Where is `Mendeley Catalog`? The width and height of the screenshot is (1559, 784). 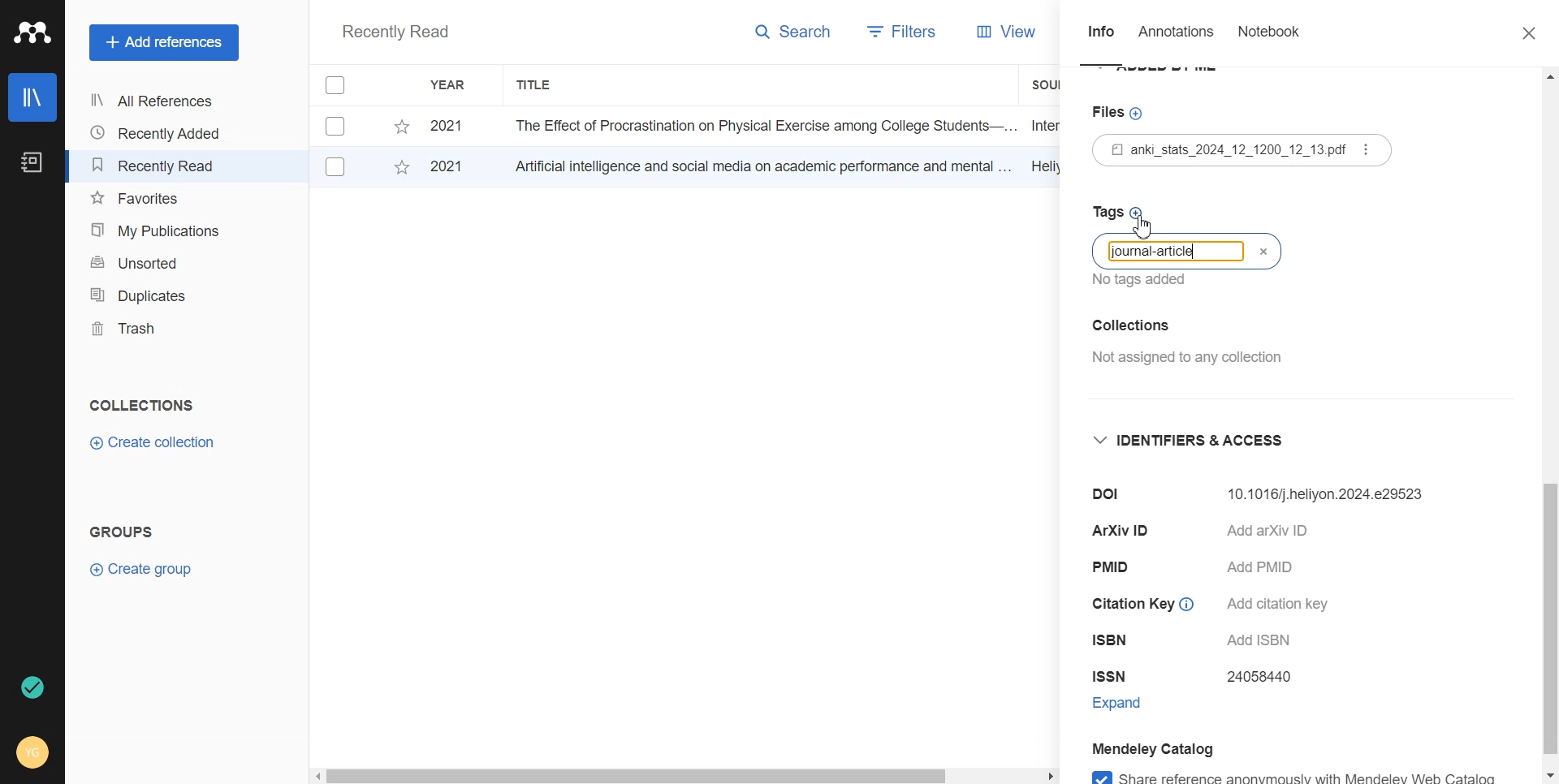
Mendeley Catalog is located at coordinates (1181, 748).